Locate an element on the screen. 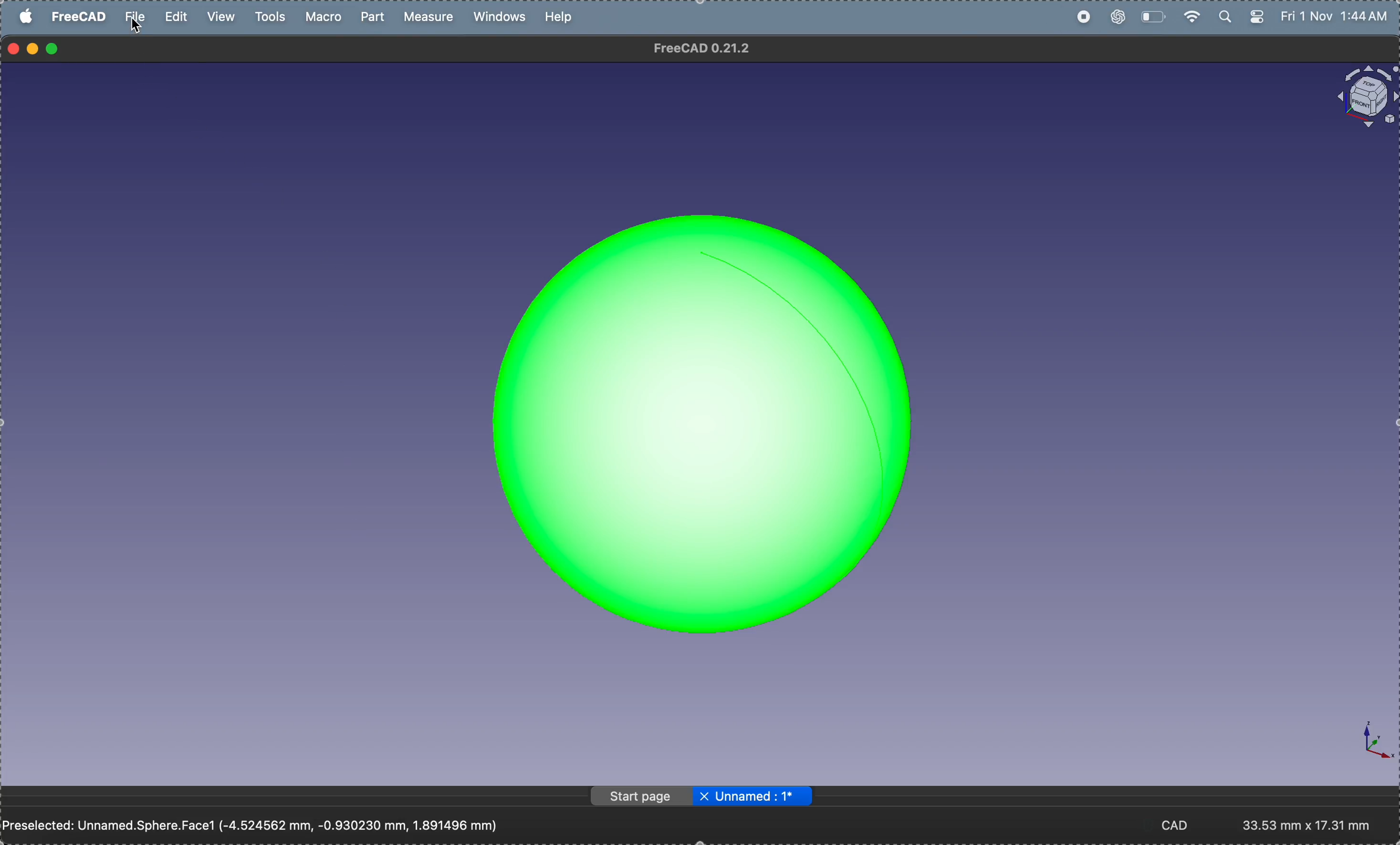 Image resolution: width=1400 pixels, height=845 pixels. apple widgets is located at coordinates (1239, 17).